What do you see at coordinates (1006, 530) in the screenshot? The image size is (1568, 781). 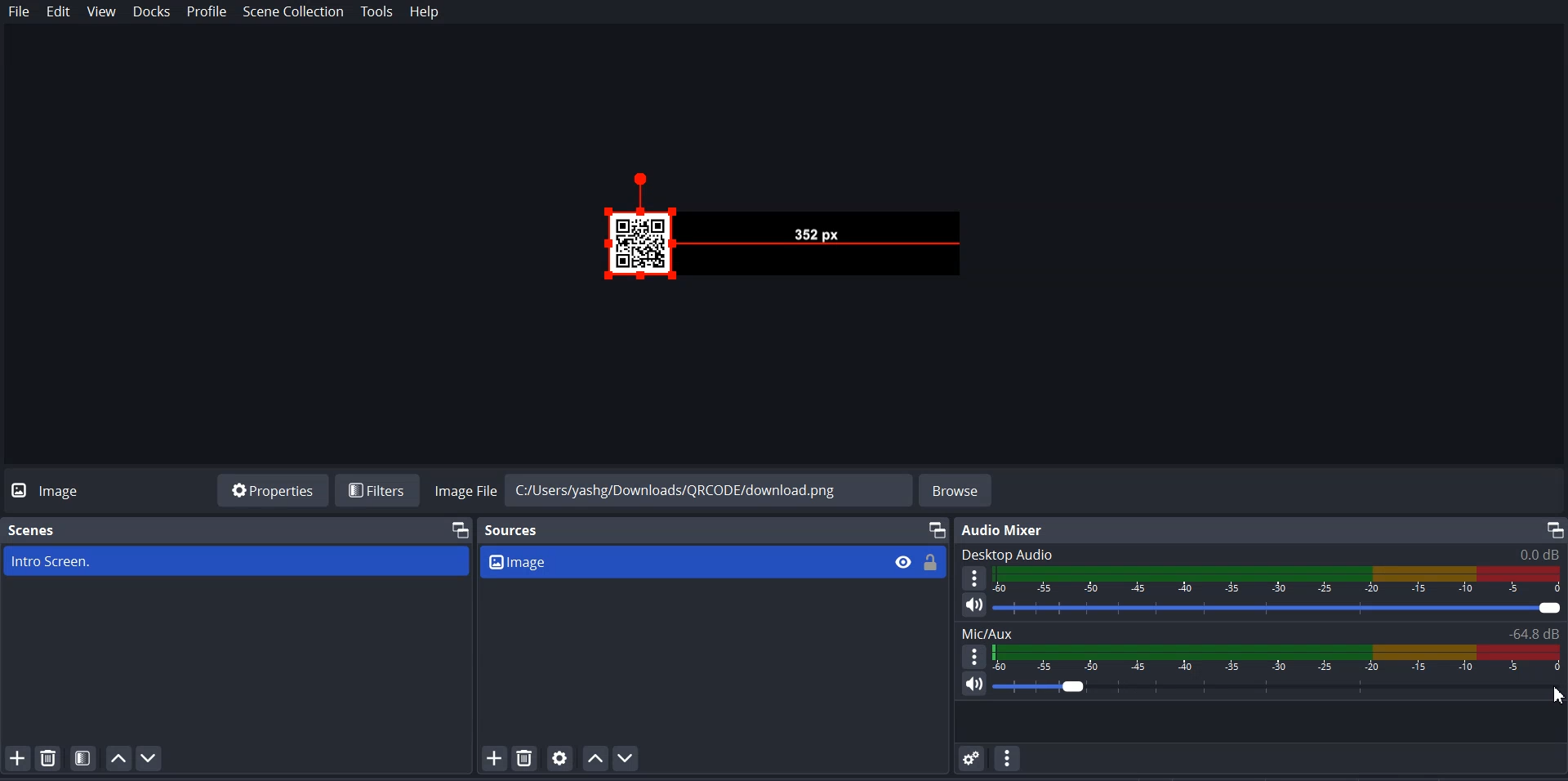 I see `Text` at bounding box center [1006, 530].